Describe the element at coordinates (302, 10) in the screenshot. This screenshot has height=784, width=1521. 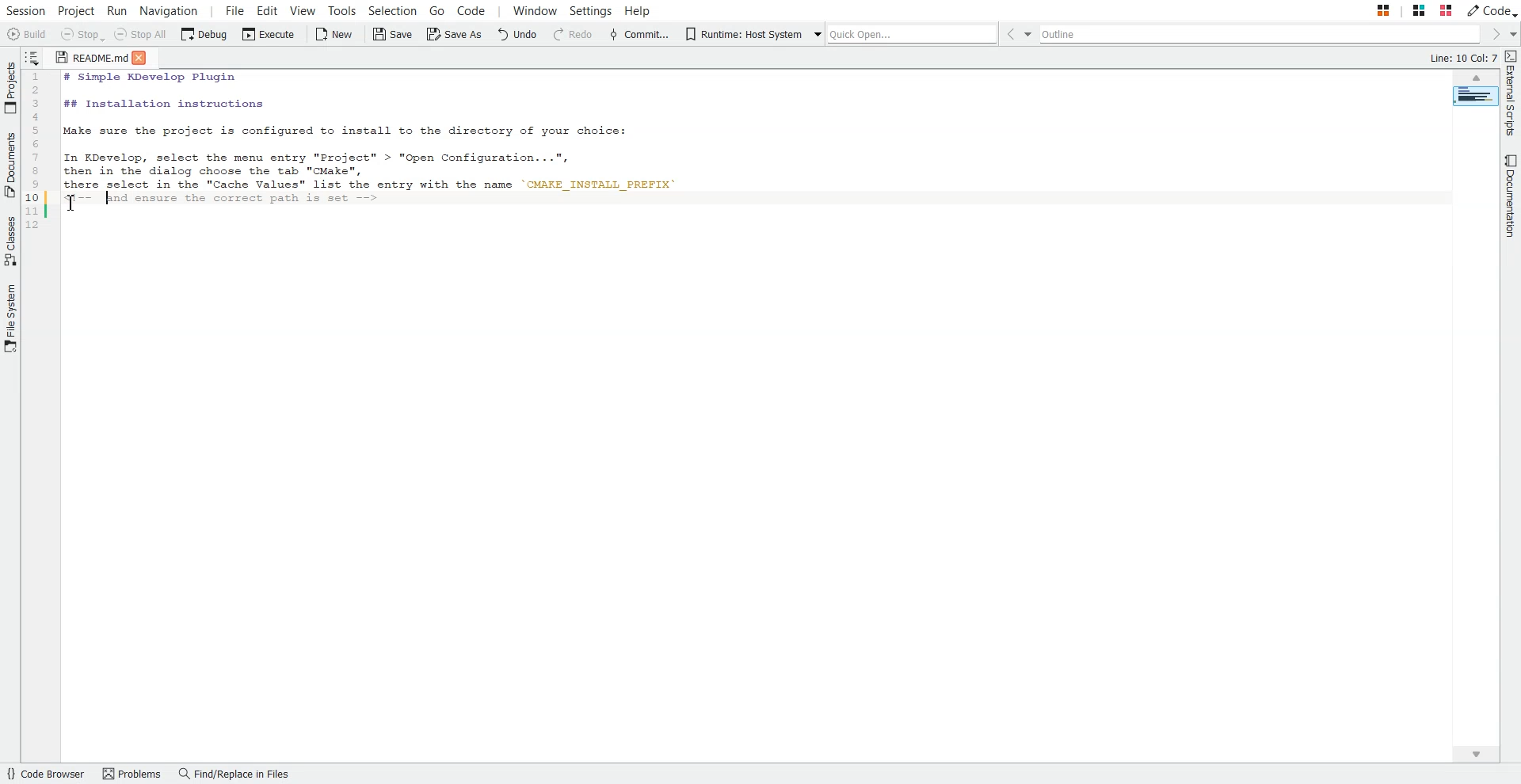
I see `View` at that location.